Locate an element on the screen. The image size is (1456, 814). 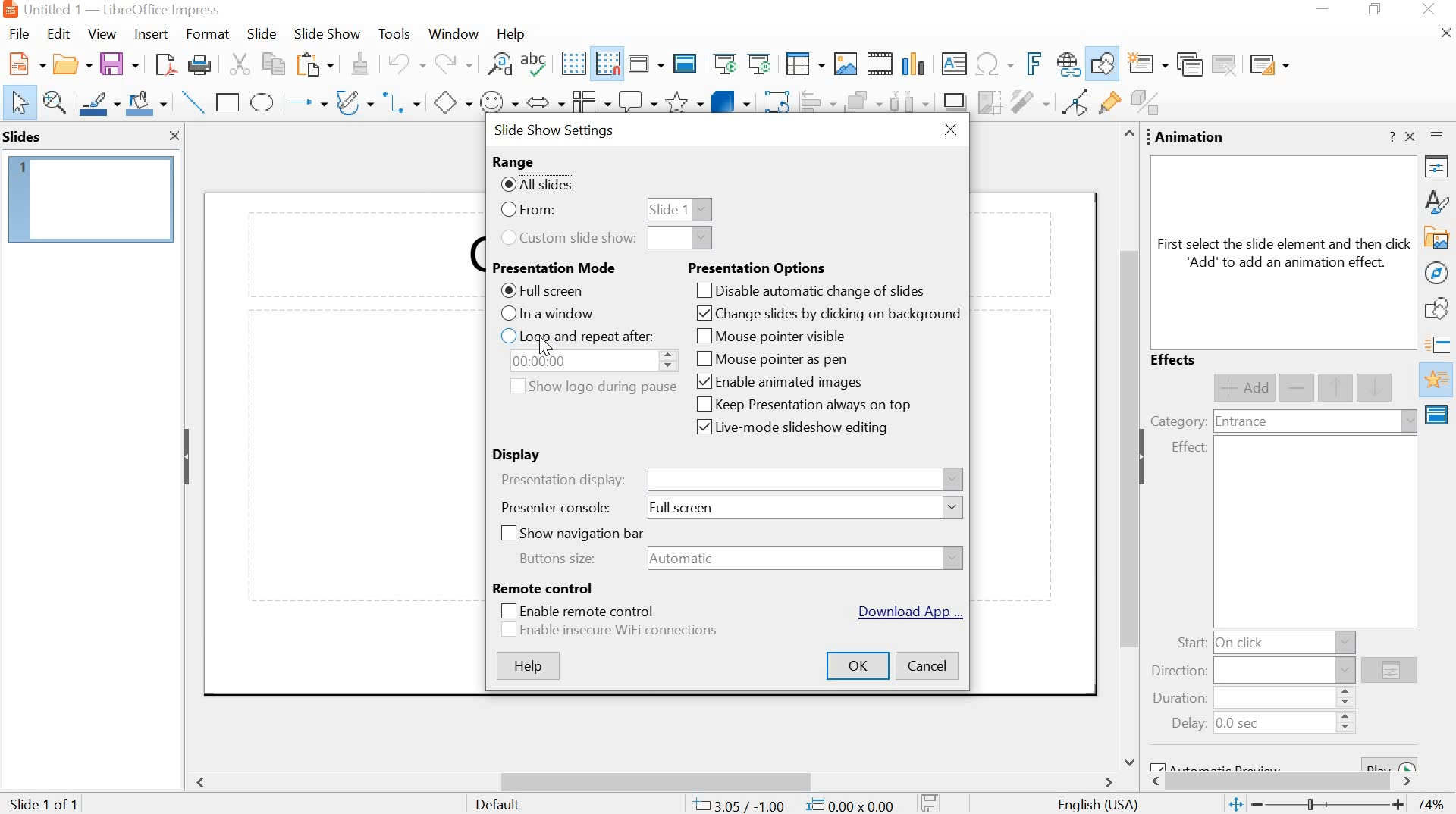
full screen is located at coordinates (541, 291).